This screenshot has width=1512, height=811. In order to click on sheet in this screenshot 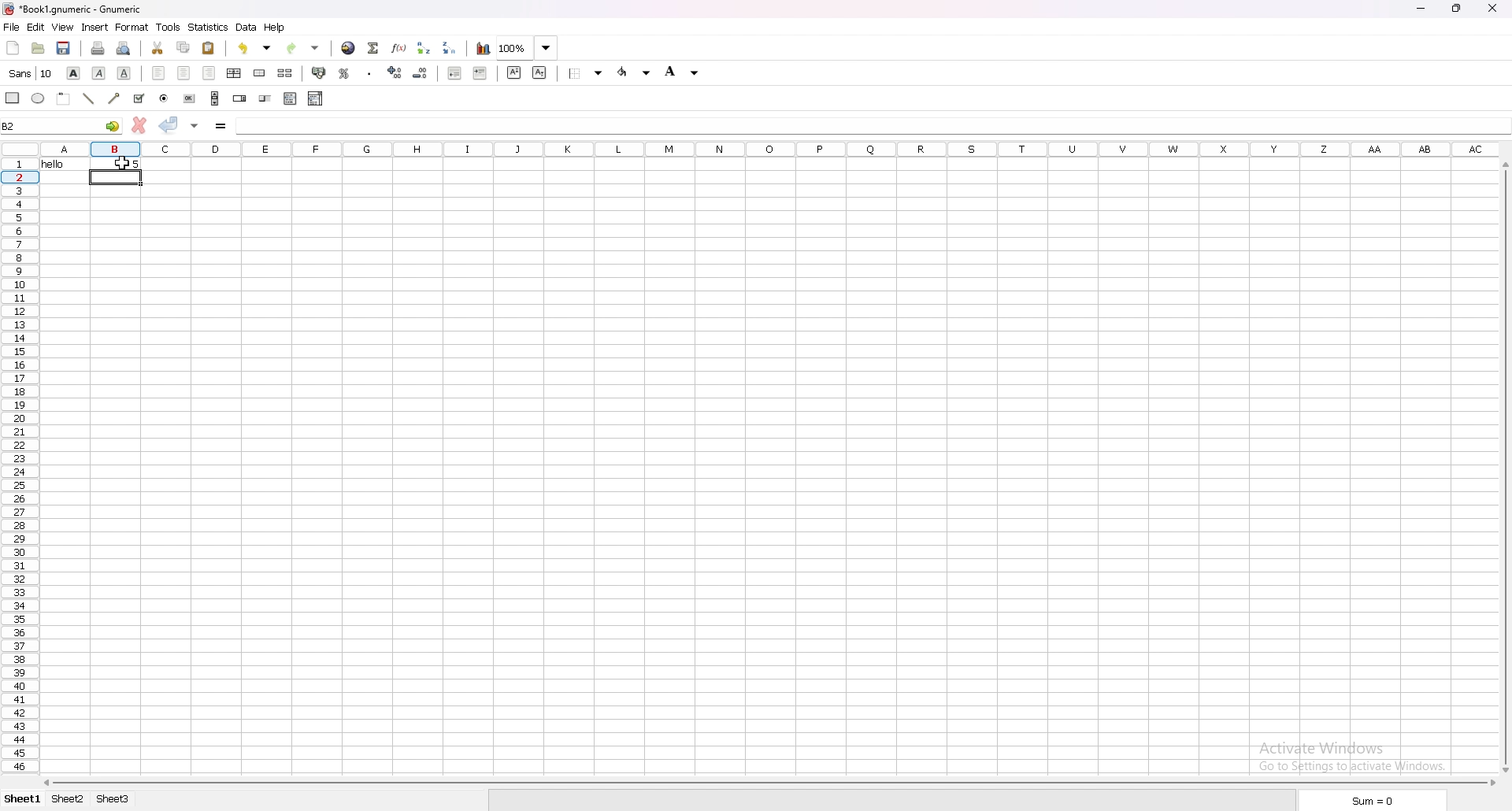, I will do `click(22, 799)`.